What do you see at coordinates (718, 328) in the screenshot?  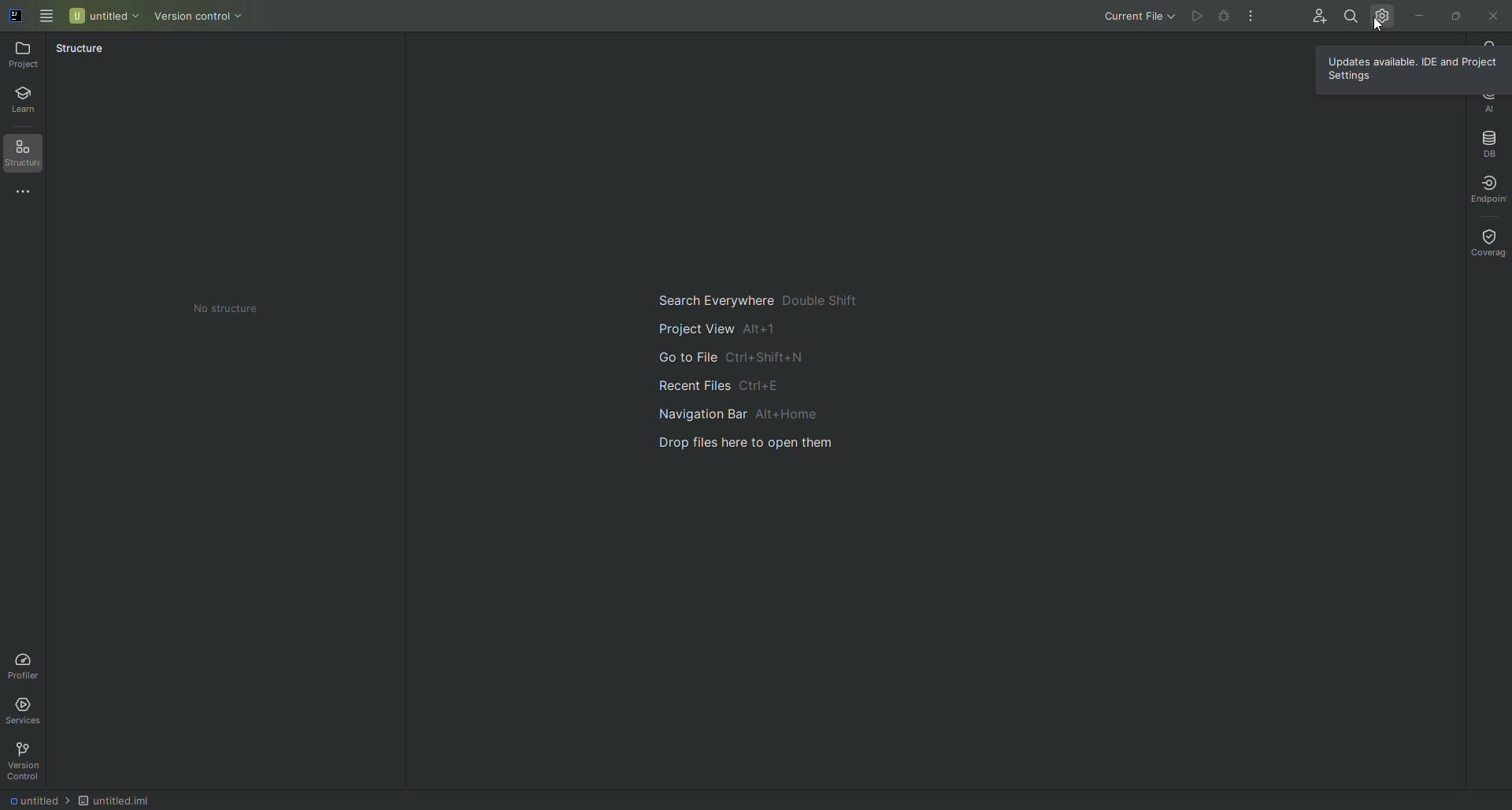 I see `Project View` at bounding box center [718, 328].